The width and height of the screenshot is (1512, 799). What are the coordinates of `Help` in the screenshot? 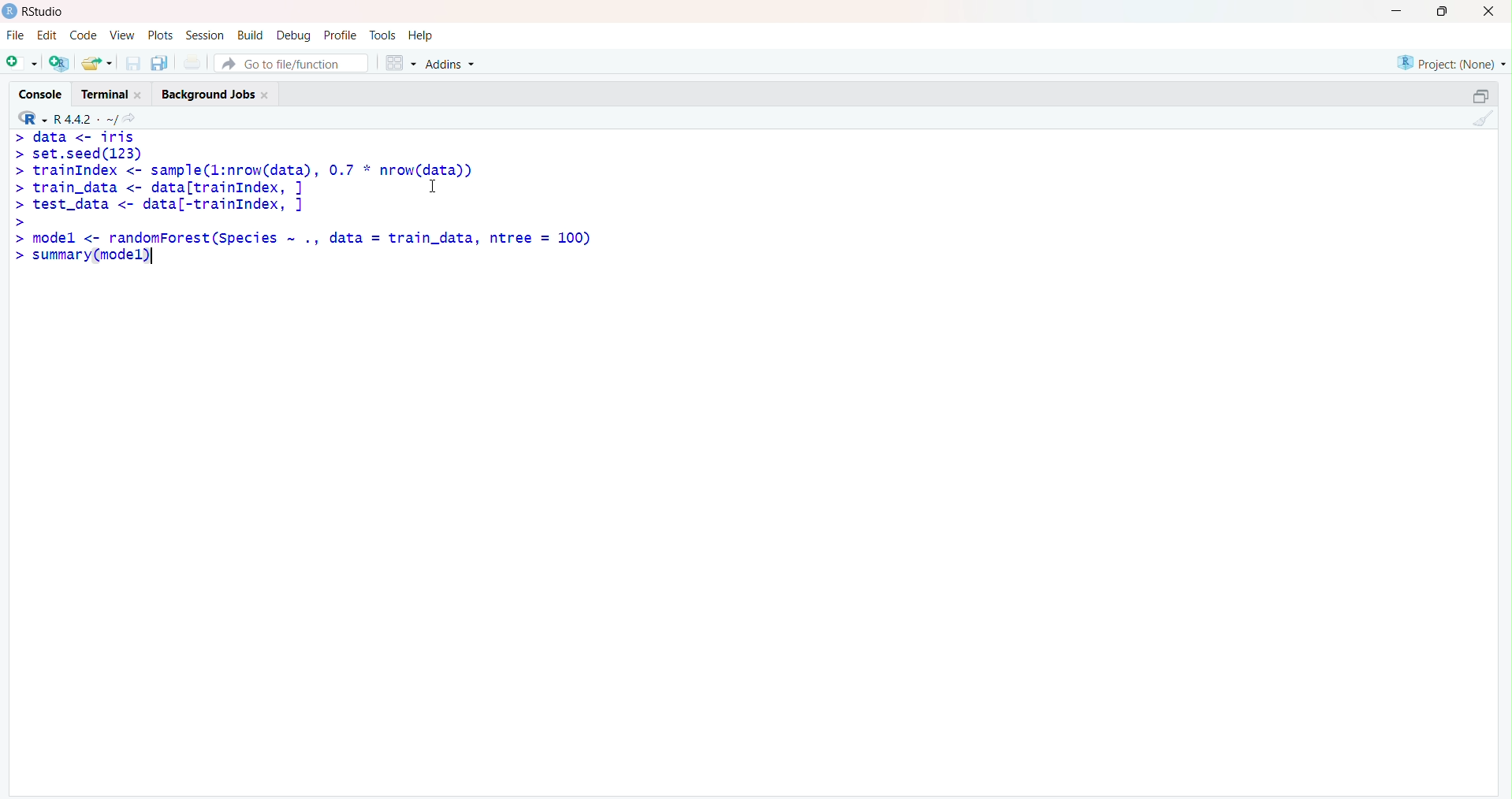 It's located at (422, 36).